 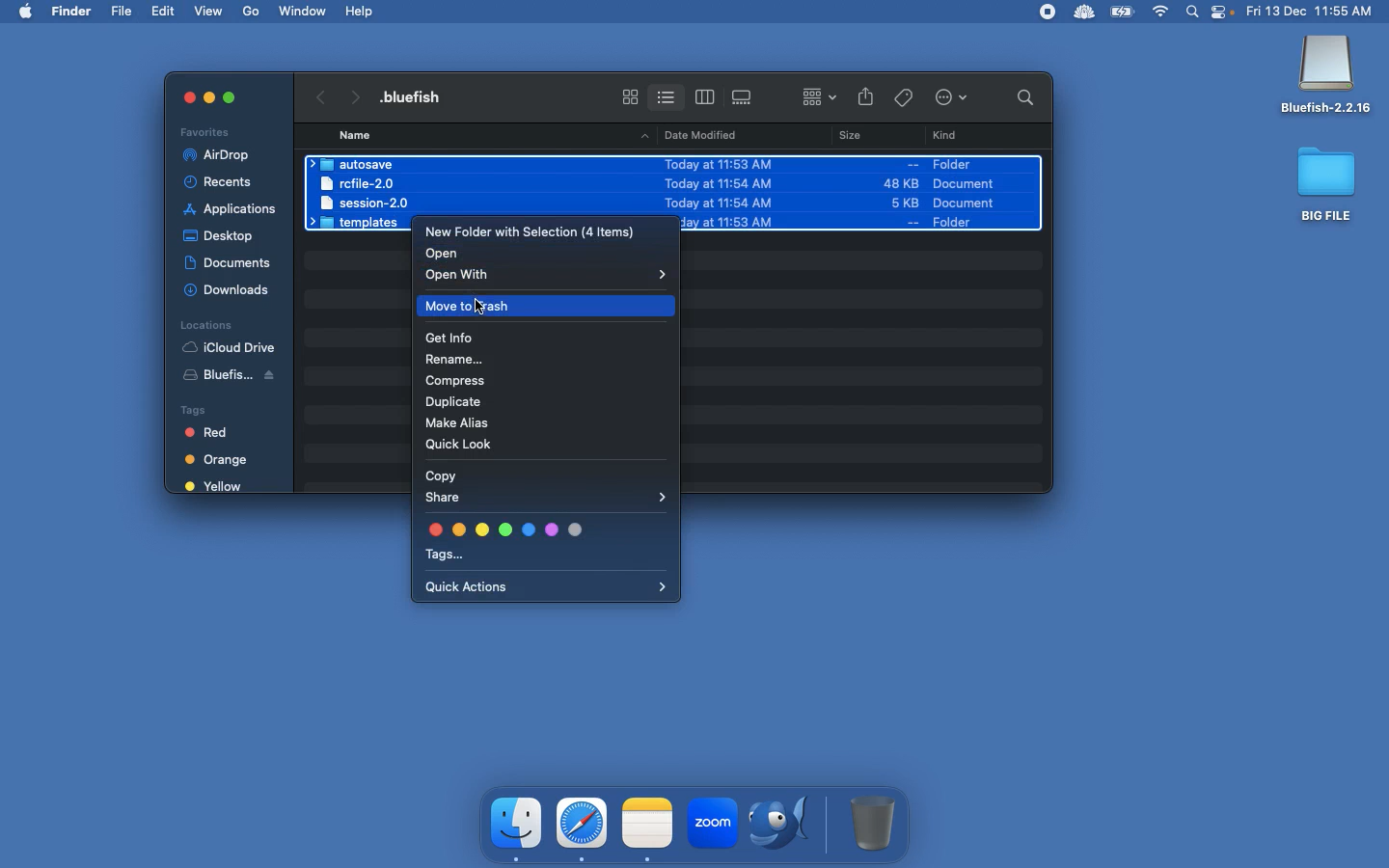 I want to click on Downloads, so click(x=230, y=289).